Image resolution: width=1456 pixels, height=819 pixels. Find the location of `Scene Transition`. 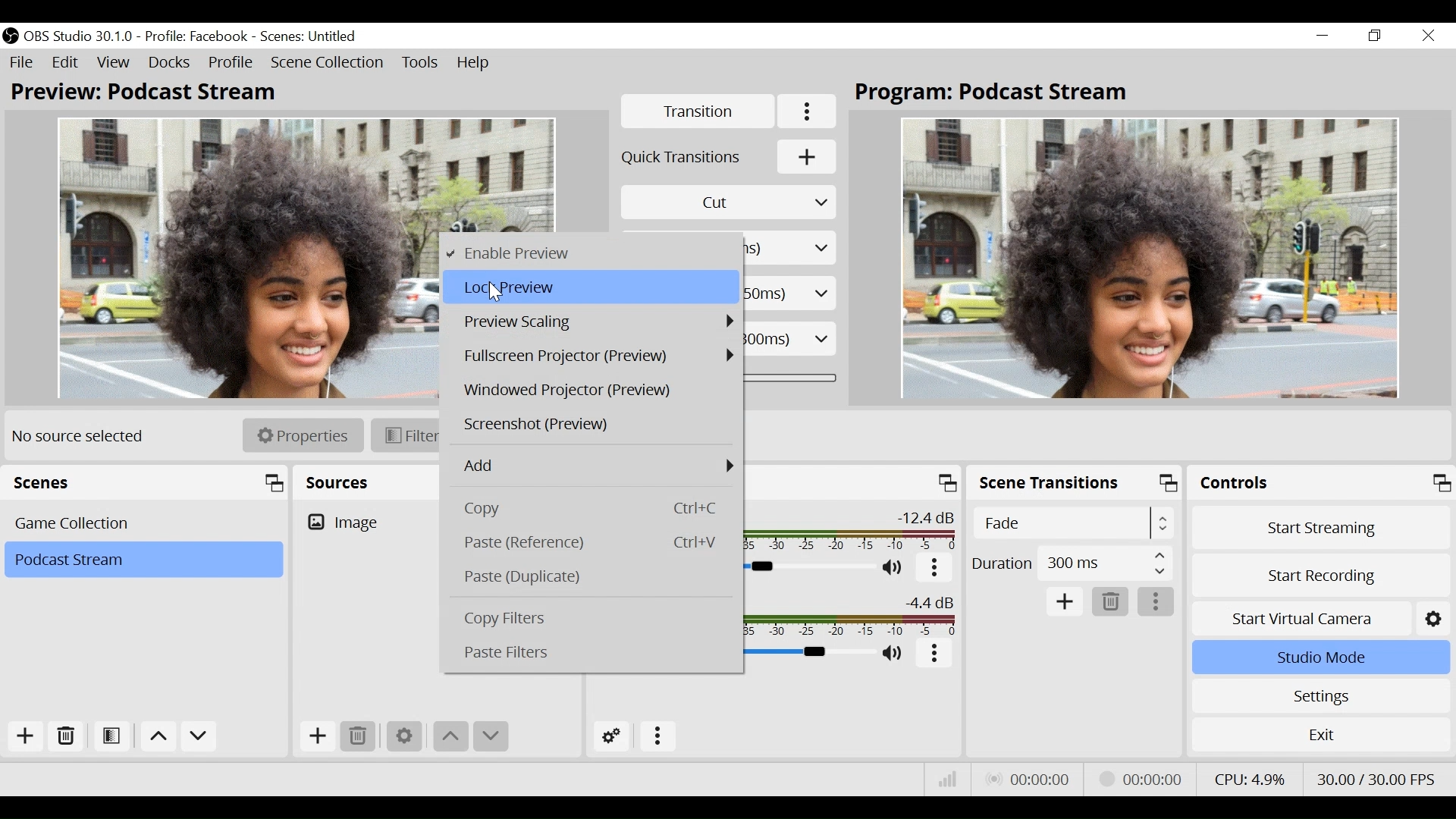

Scene Transition is located at coordinates (1073, 481).